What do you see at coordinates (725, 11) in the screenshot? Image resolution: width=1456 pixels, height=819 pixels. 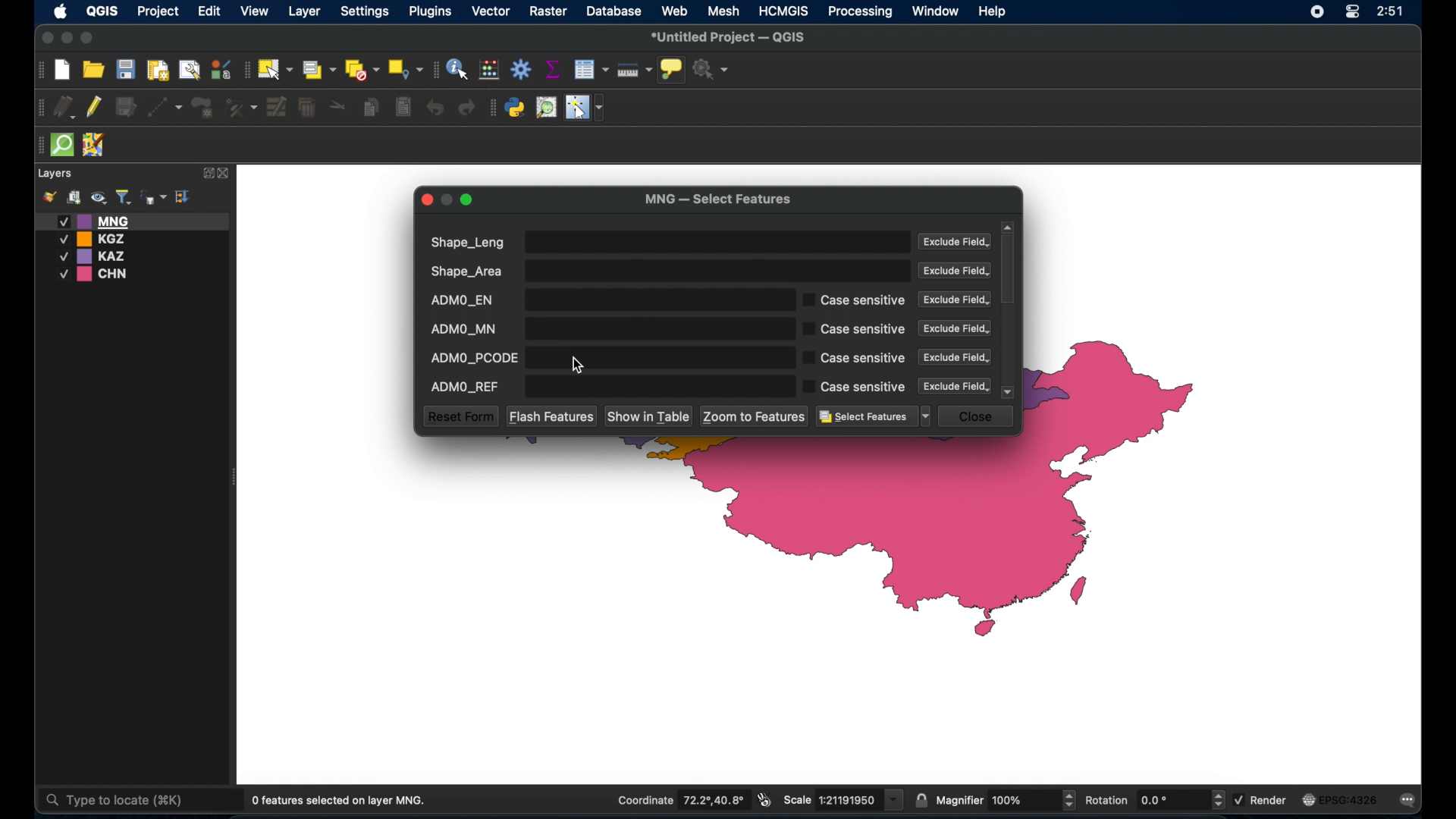 I see `mesh` at bounding box center [725, 11].